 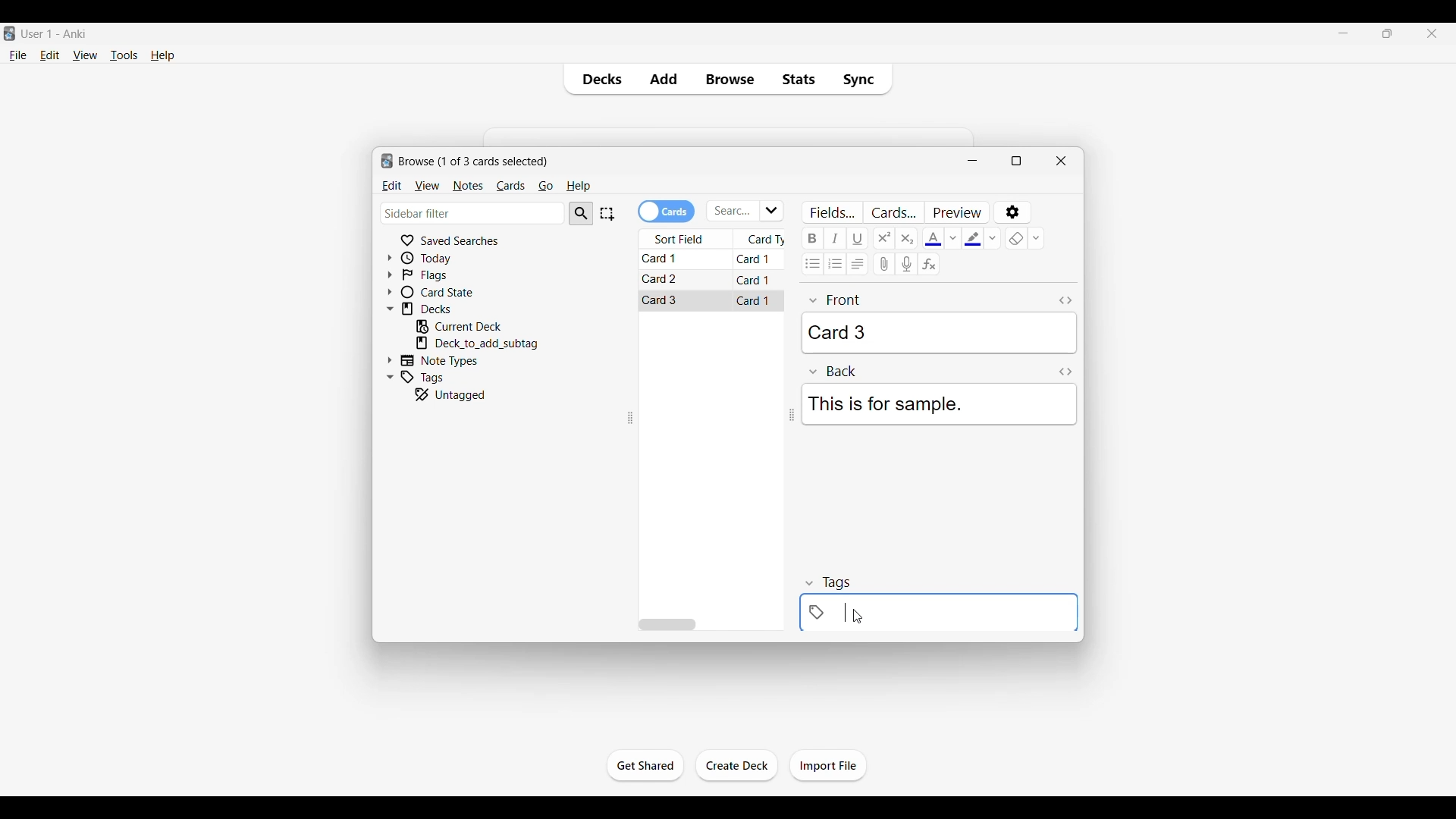 What do you see at coordinates (390, 292) in the screenshot?
I see `Click to expand card state` at bounding box center [390, 292].